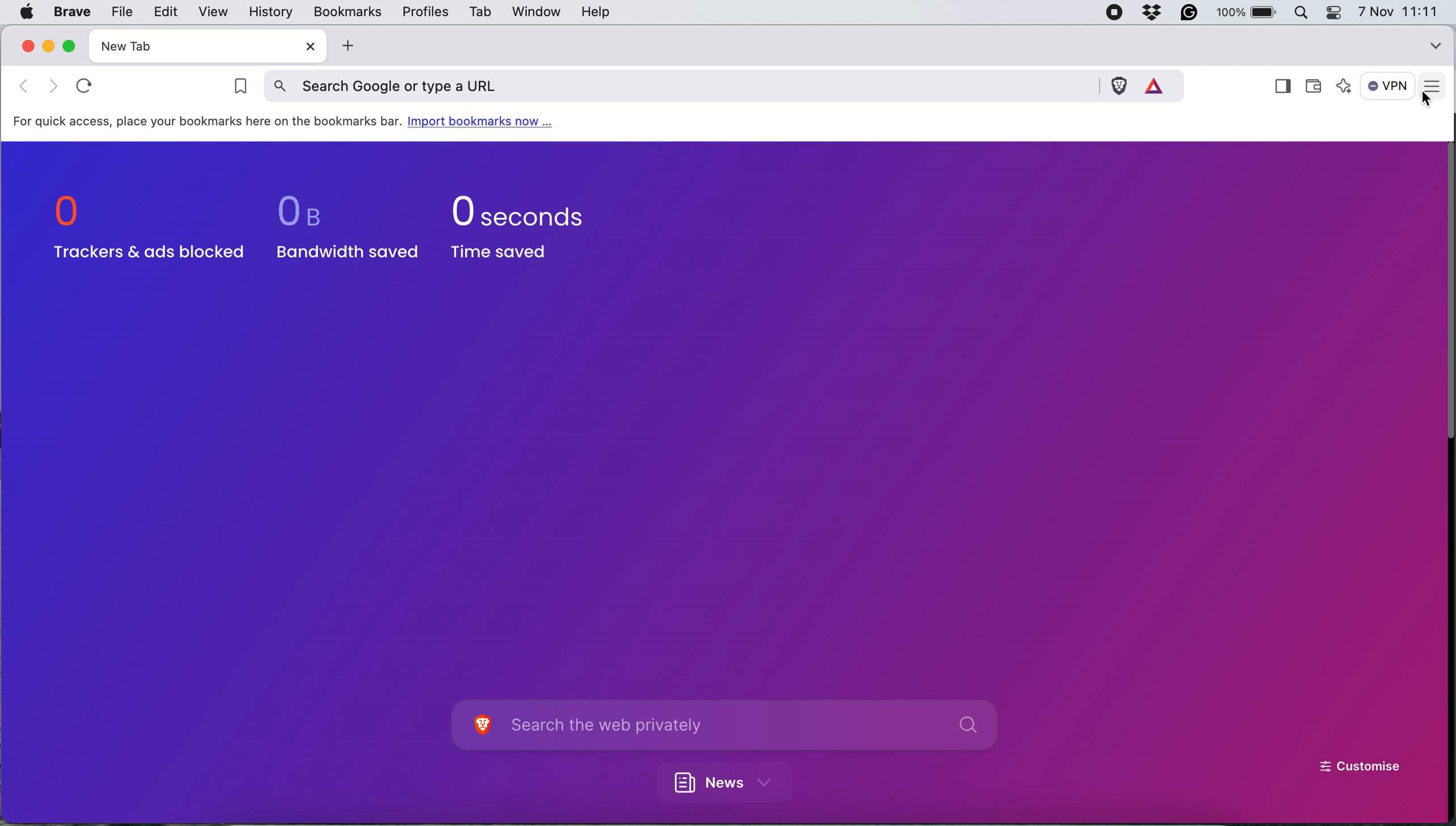 Image resolution: width=1456 pixels, height=826 pixels. Describe the element at coordinates (345, 46) in the screenshot. I see `add new tab` at that location.